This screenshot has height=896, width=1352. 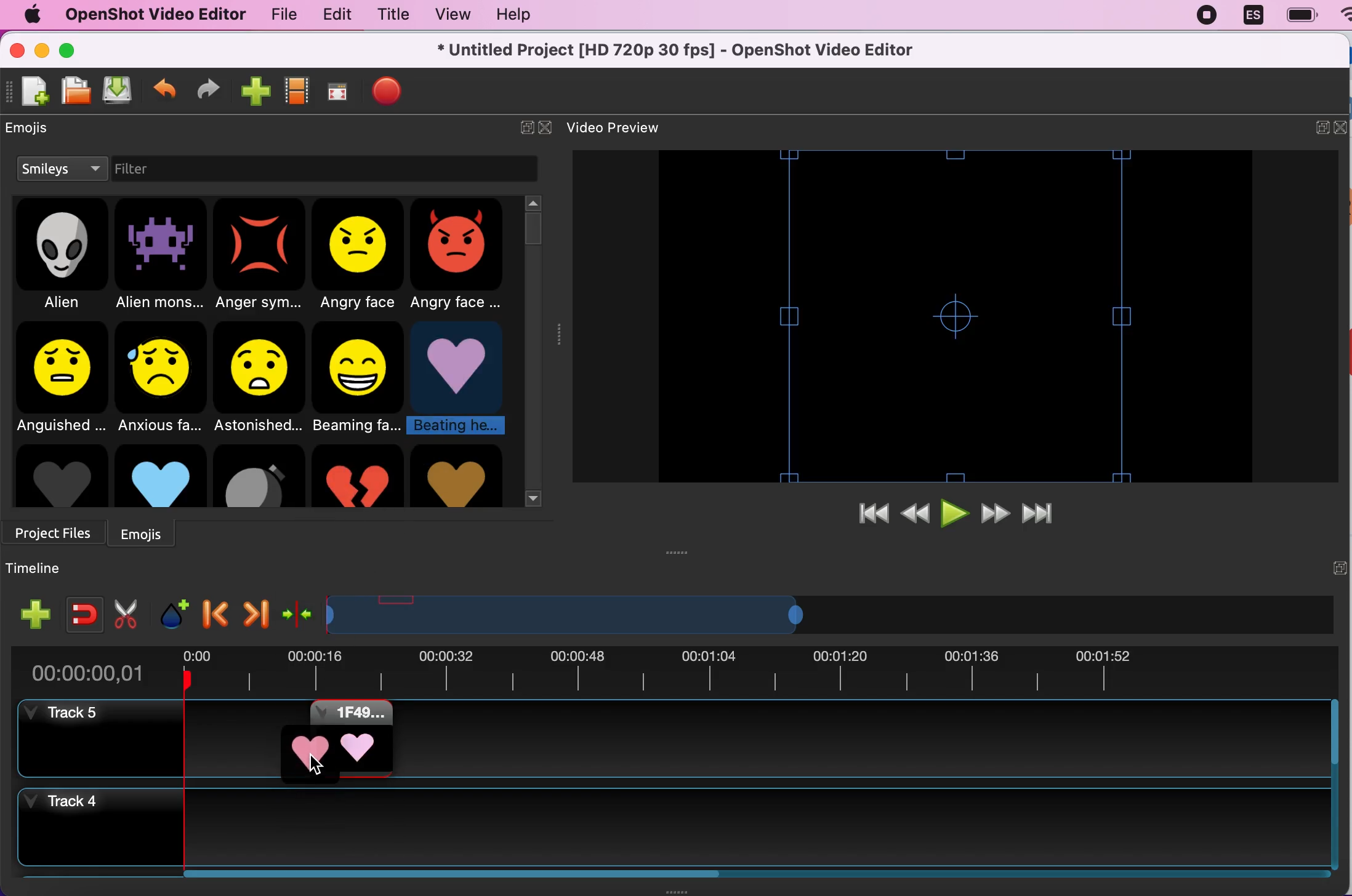 What do you see at coordinates (742, 874) in the screenshot?
I see `Horizontal slide bar` at bounding box center [742, 874].